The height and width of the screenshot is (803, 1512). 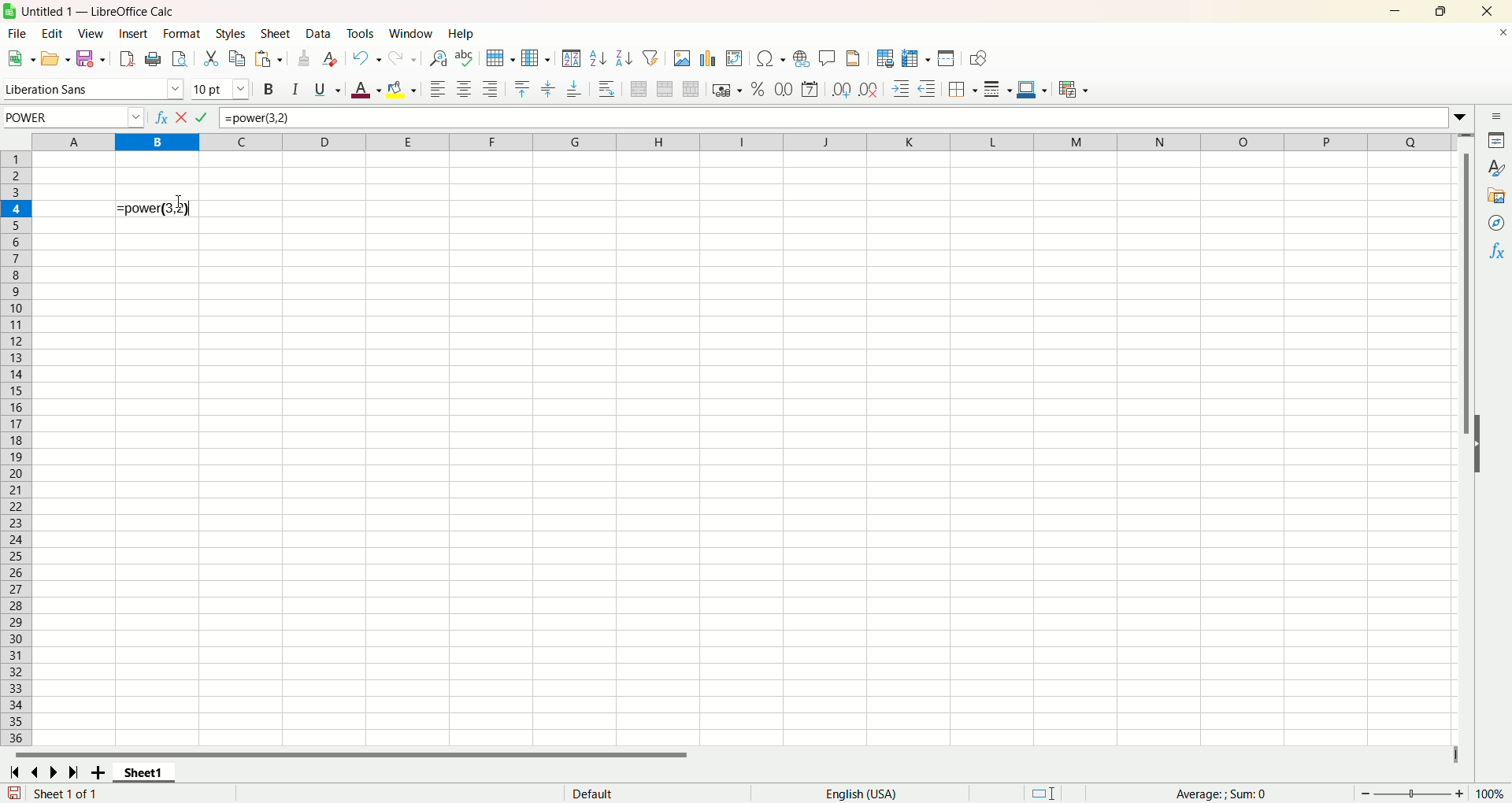 I want to click on format as date, so click(x=813, y=89).